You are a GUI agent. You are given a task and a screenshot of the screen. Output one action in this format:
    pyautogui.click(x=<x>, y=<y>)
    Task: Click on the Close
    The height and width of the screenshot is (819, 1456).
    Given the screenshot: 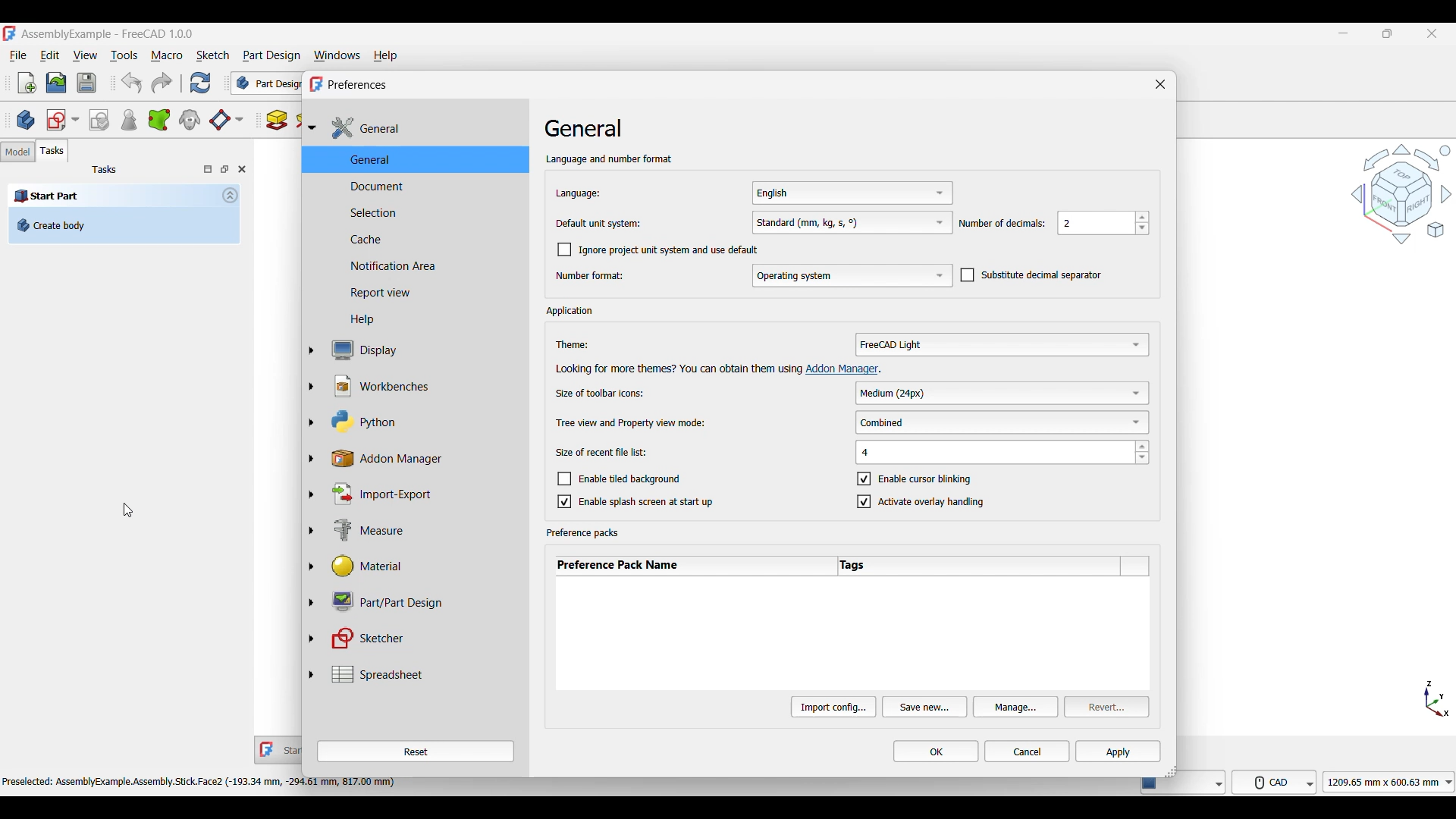 What is the action you would take?
    pyautogui.click(x=242, y=169)
    